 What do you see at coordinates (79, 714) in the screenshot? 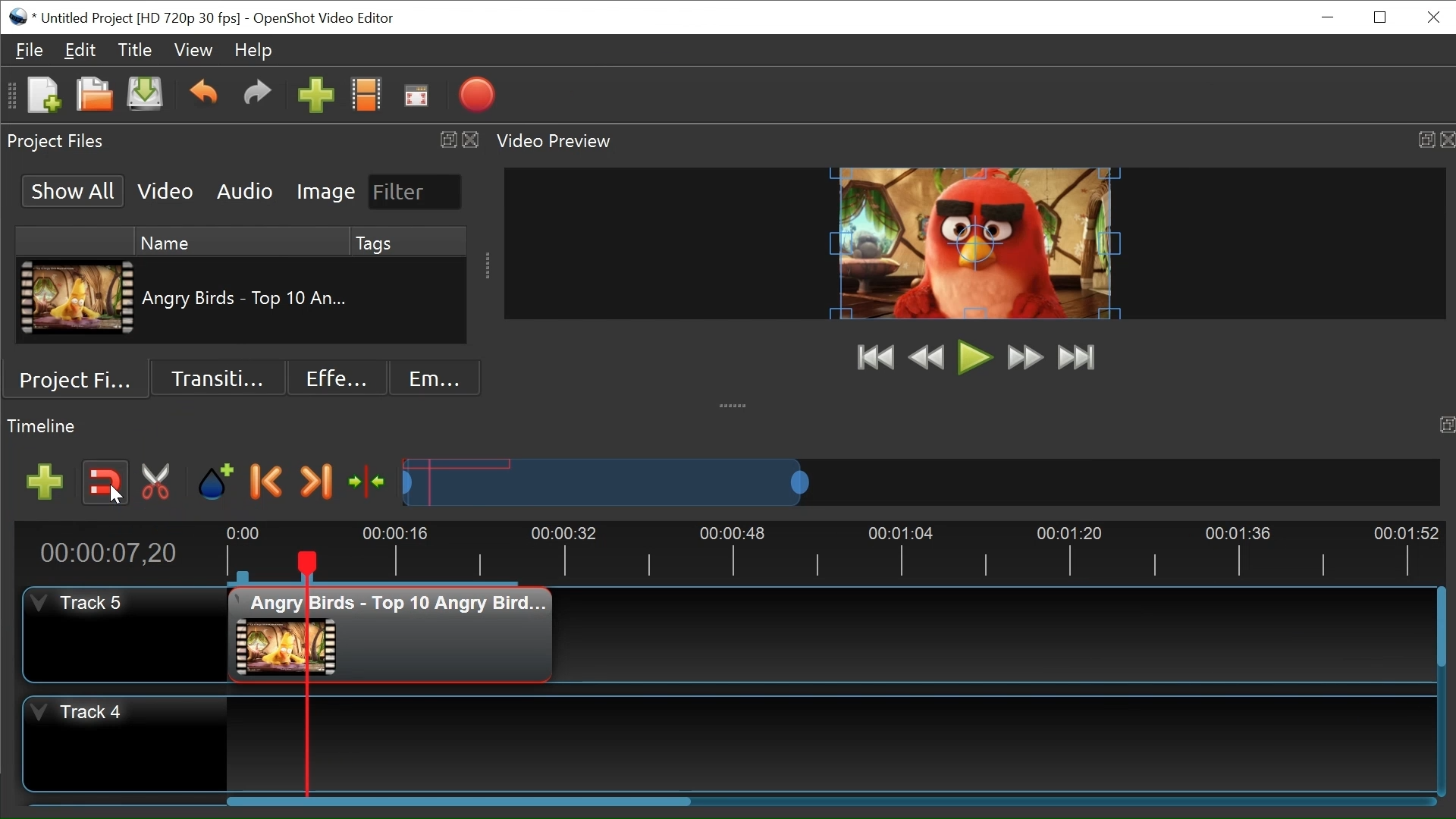
I see `Track Header` at bounding box center [79, 714].